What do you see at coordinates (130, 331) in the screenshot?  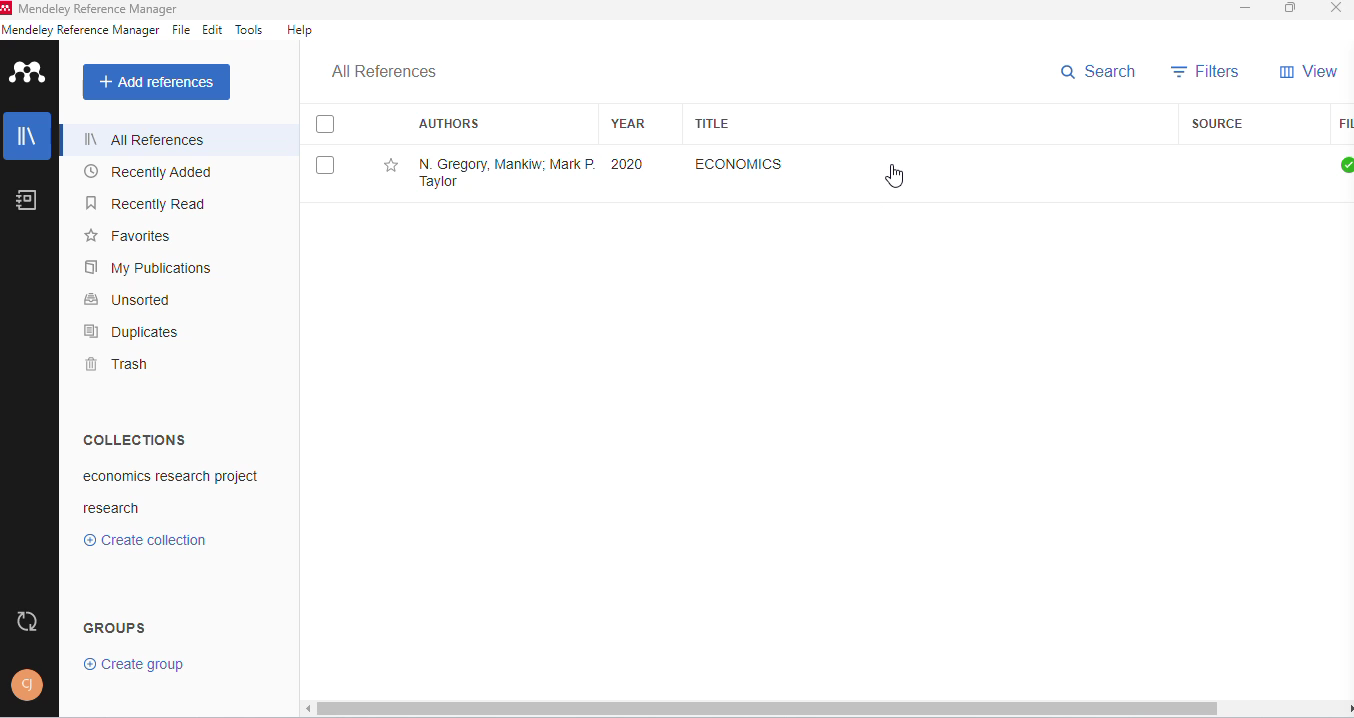 I see `duplicates` at bounding box center [130, 331].